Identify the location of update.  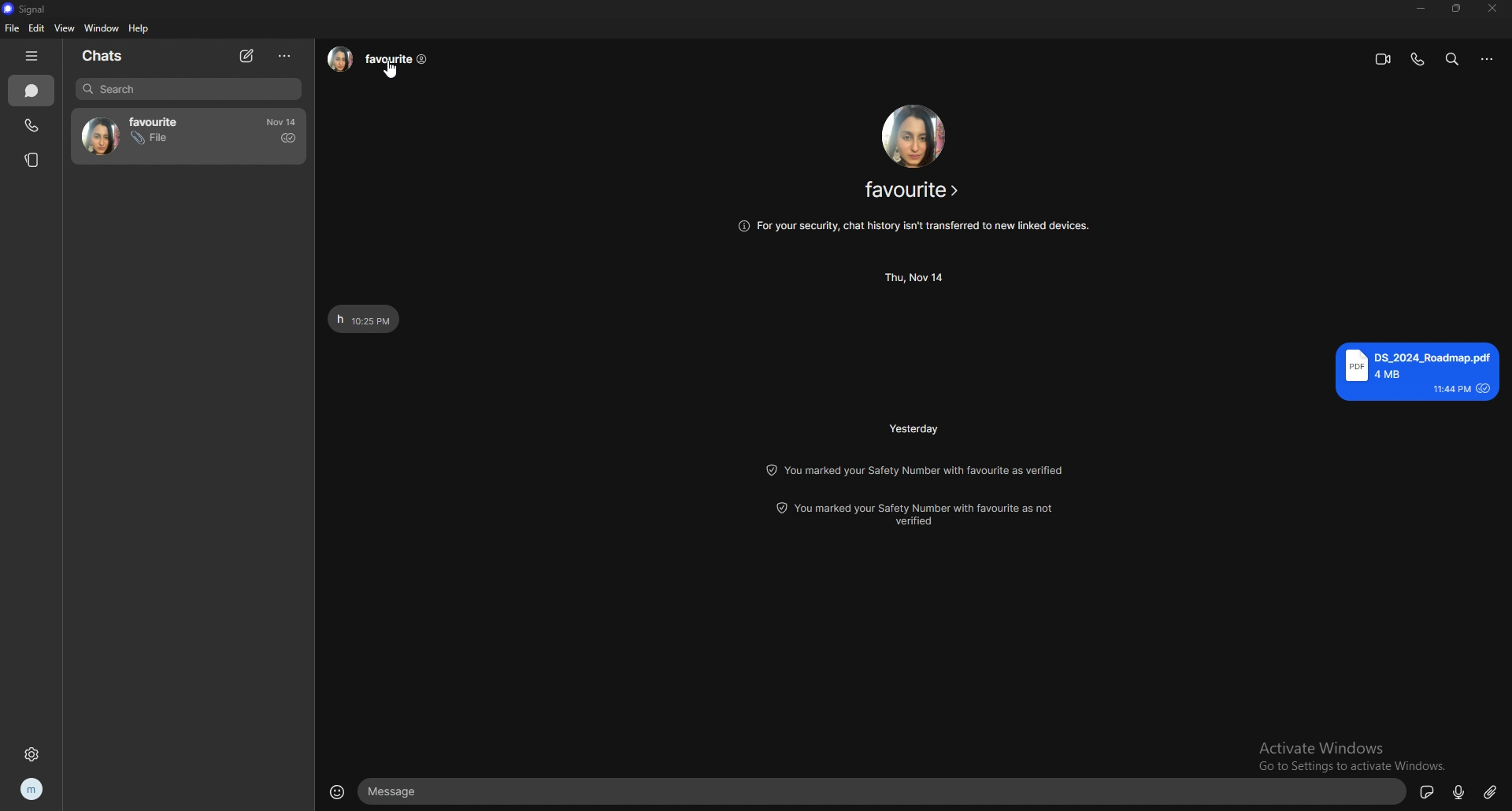
(920, 469).